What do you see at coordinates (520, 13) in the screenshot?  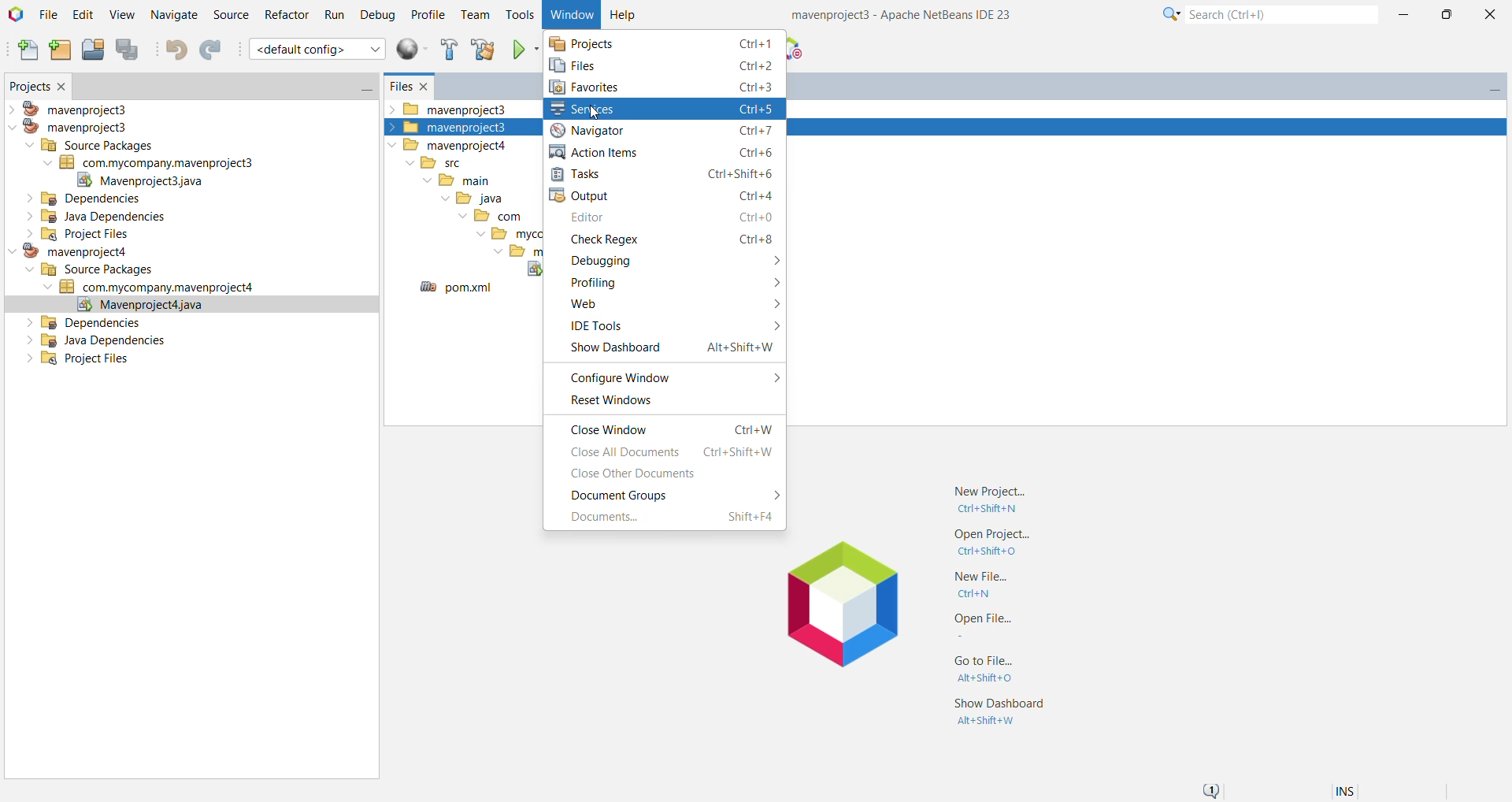 I see `Tools` at bounding box center [520, 13].